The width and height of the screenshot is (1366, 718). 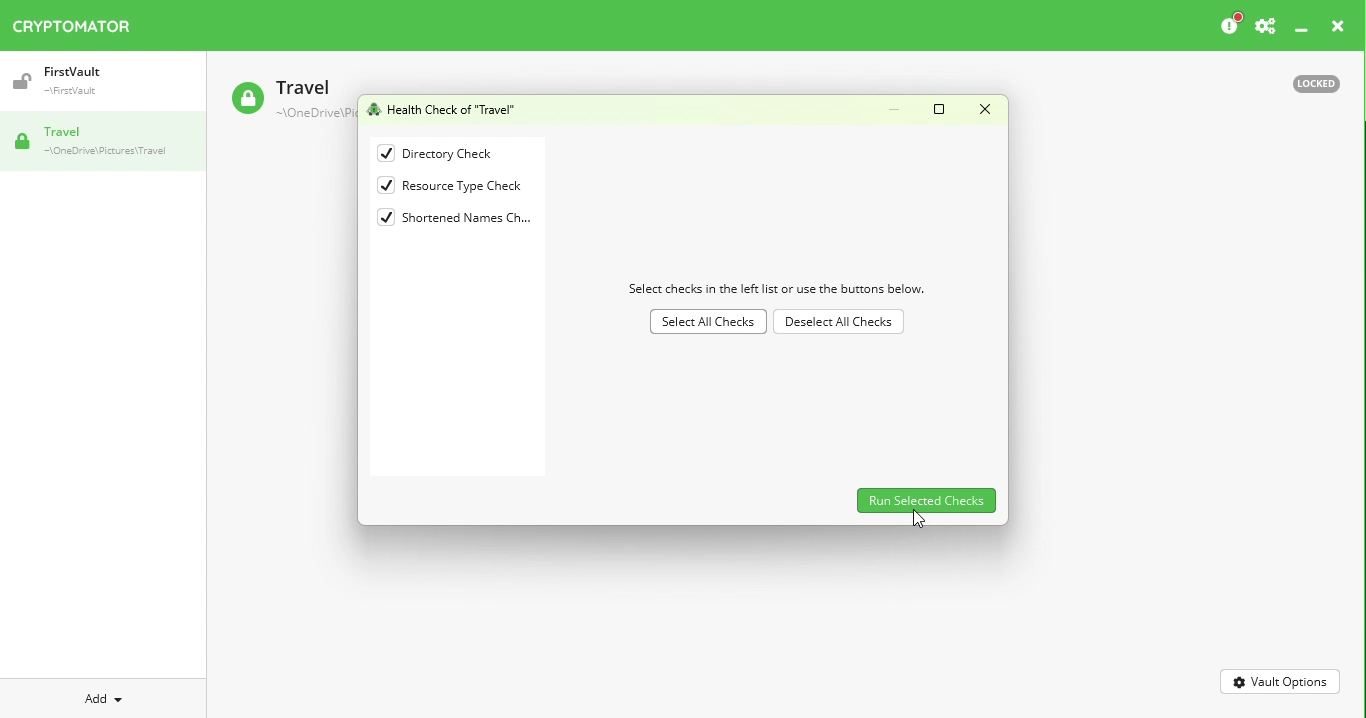 What do you see at coordinates (474, 217) in the screenshot?
I see `Shortened names checks` at bounding box center [474, 217].